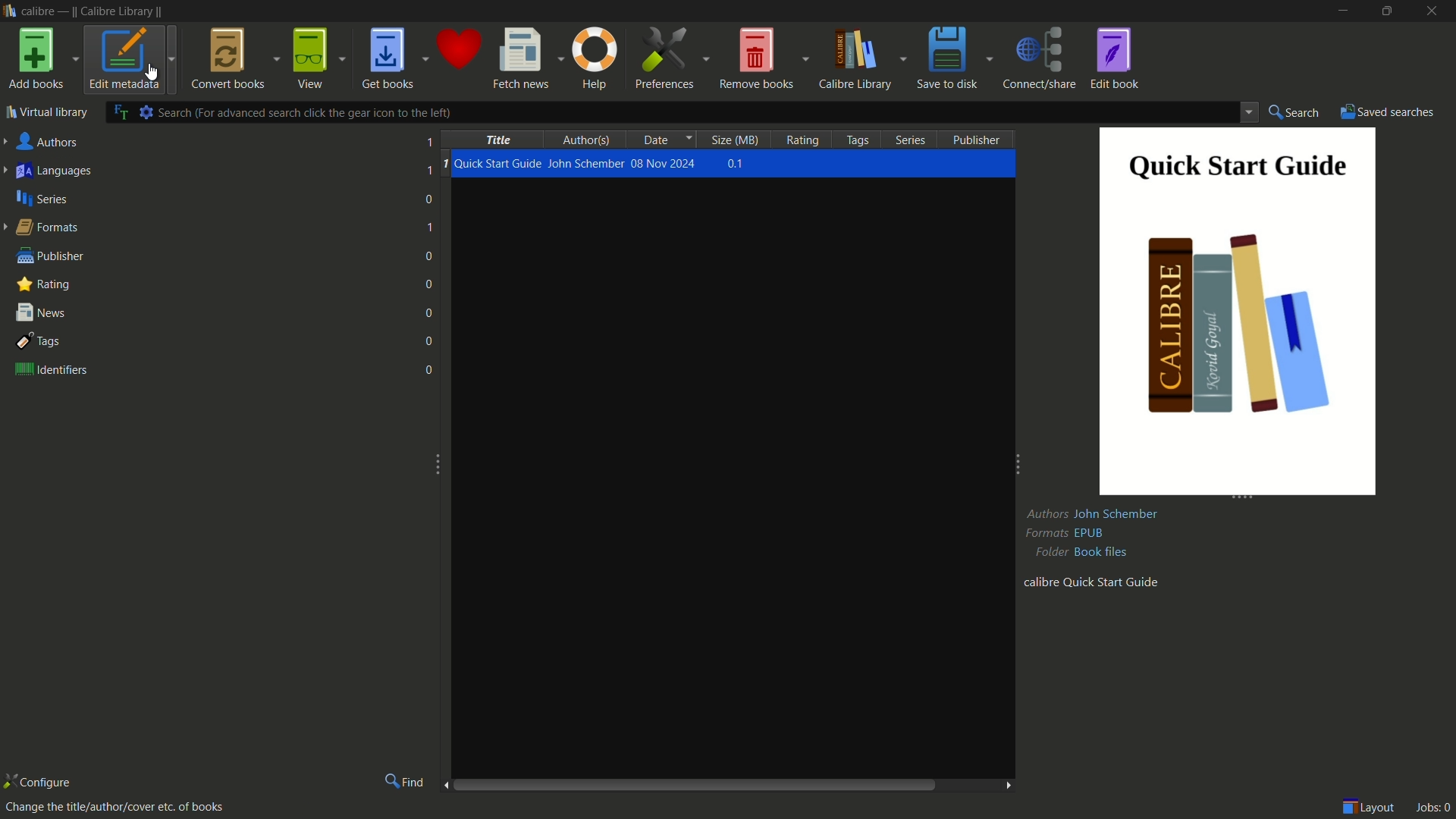 Image resolution: width=1456 pixels, height=819 pixels. Describe the element at coordinates (43, 285) in the screenshot. I see `rating` at that location.